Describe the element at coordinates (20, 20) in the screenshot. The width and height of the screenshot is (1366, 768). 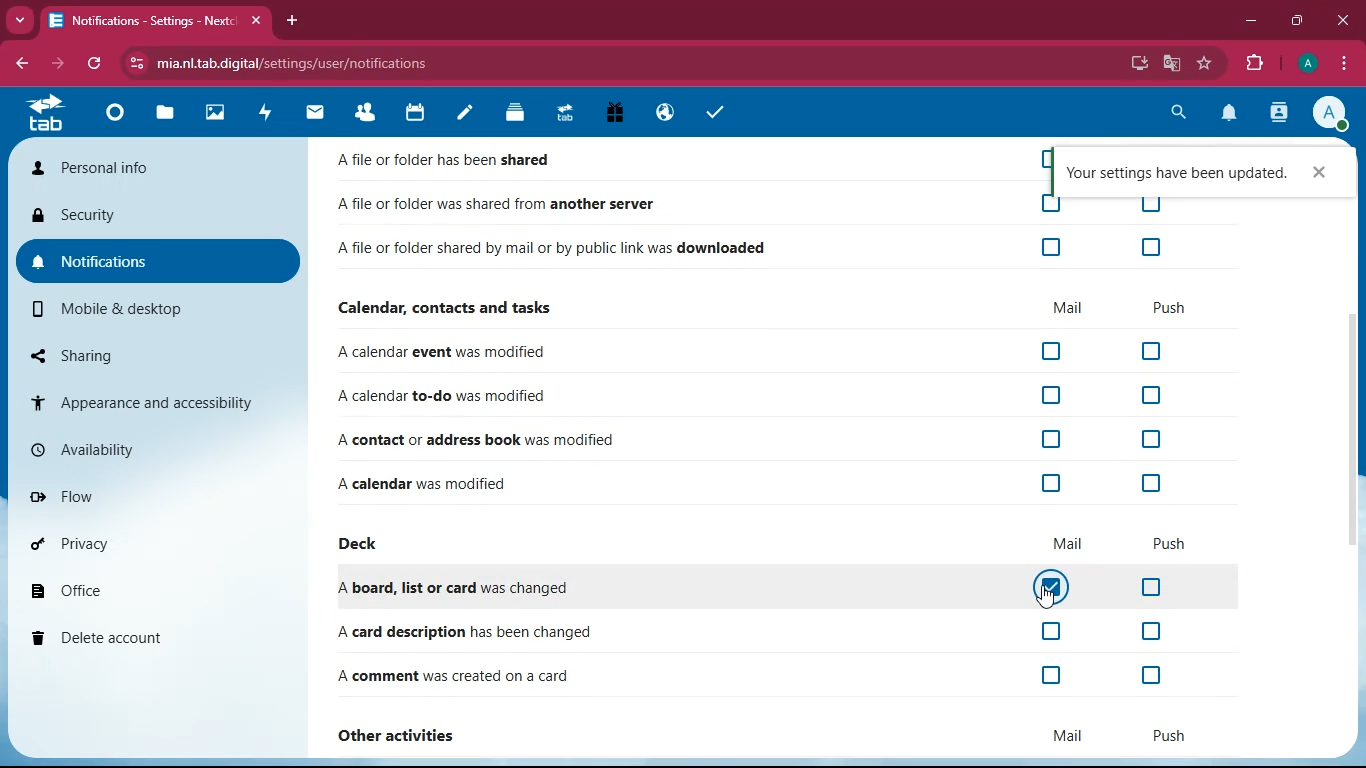
I see `more` at that location.